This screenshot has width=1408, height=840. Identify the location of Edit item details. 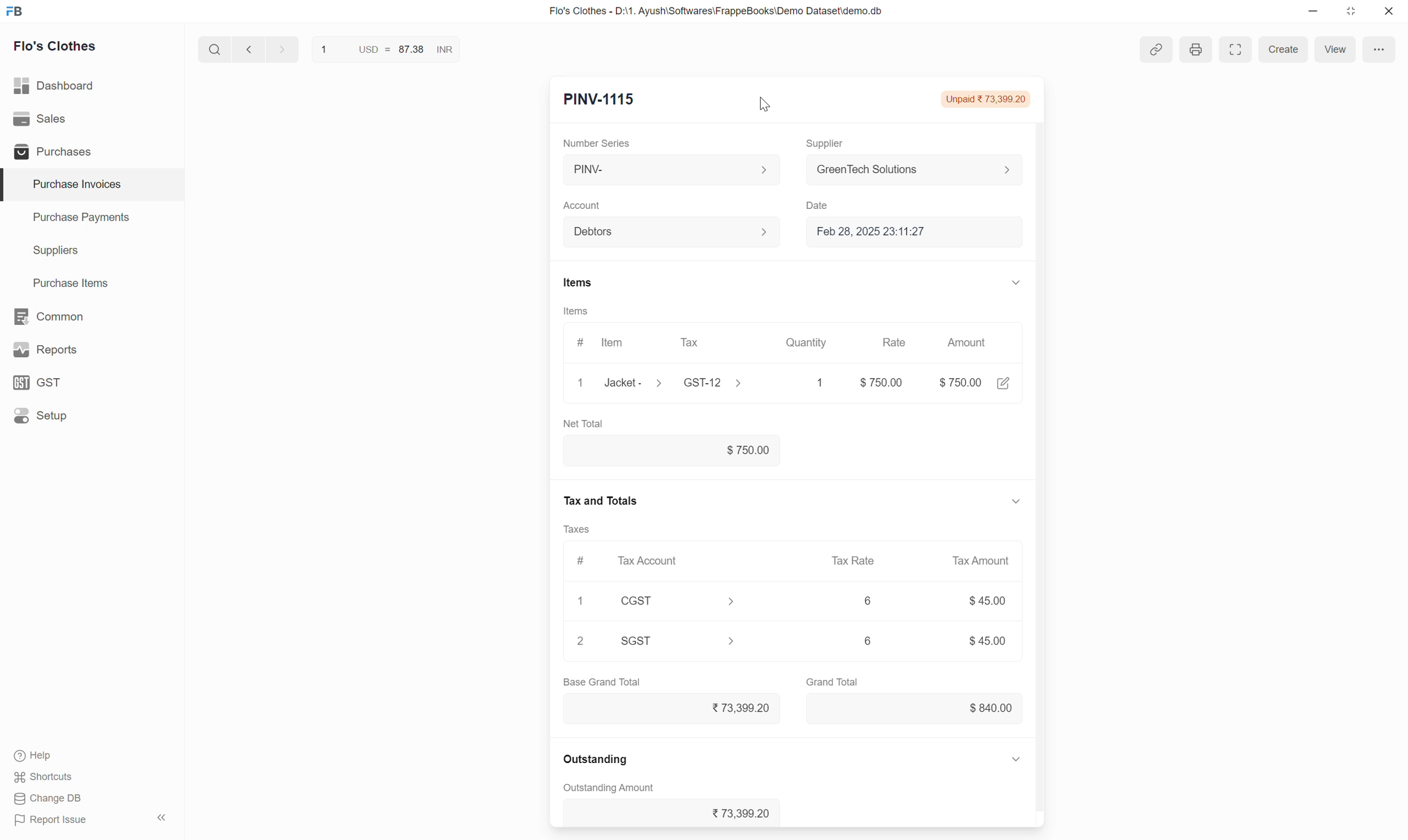
(658, 382).